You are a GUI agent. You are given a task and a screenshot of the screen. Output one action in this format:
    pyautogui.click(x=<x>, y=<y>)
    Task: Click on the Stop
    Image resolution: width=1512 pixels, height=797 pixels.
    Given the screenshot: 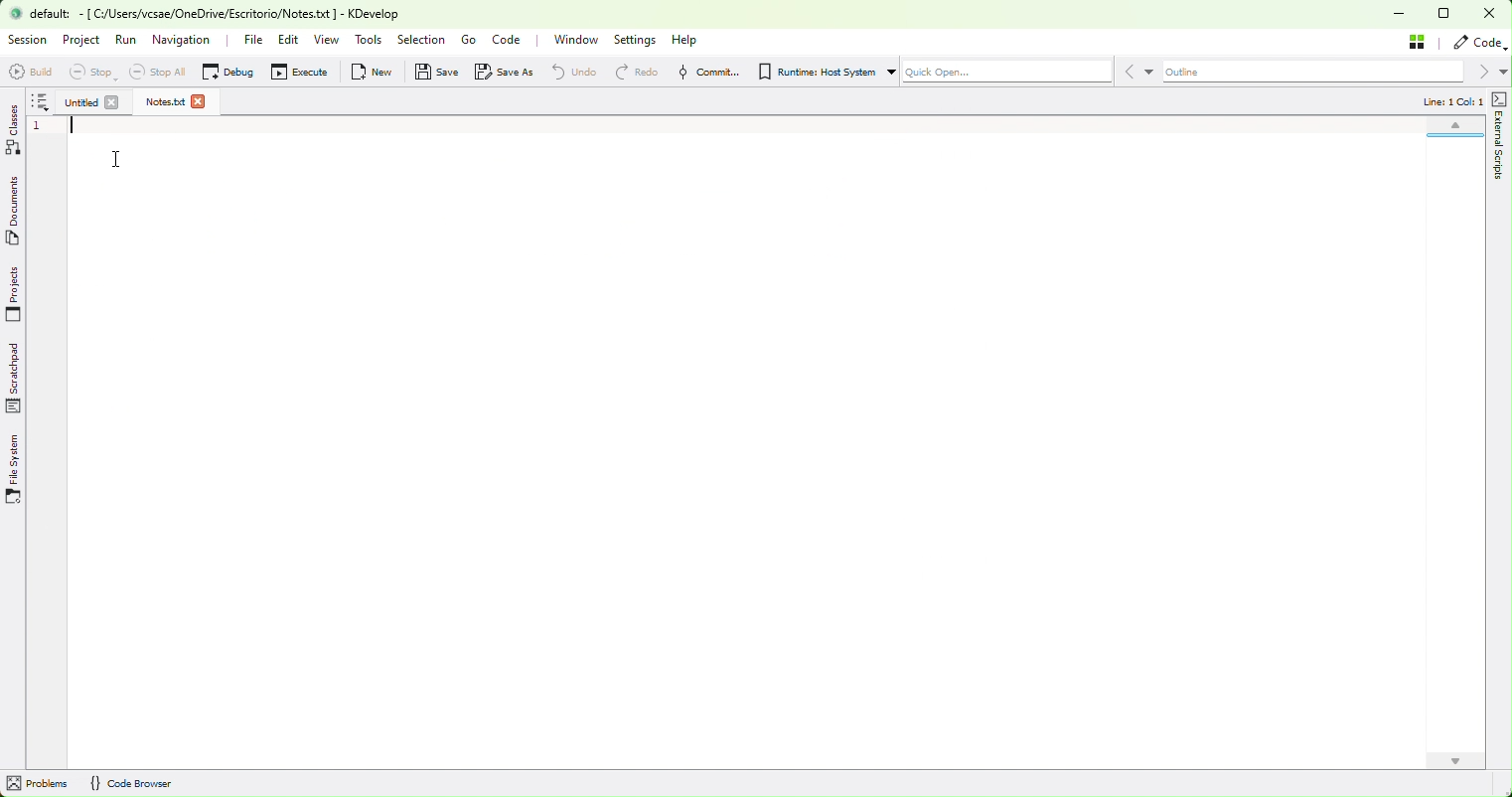 What is the action you would take?
    pyautogui.click(x=99, y=73)
    